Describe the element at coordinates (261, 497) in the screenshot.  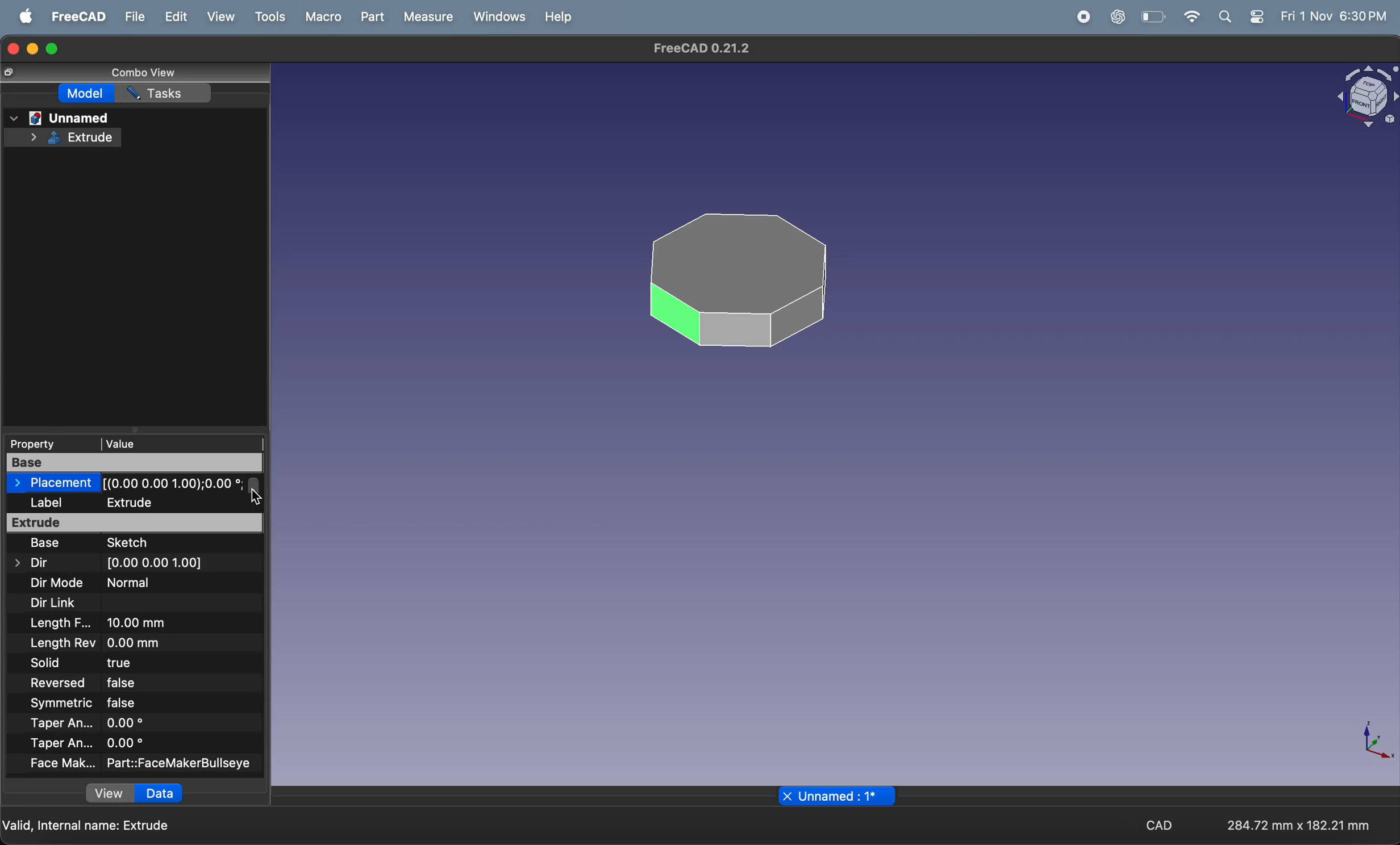
I see `cursor` at that location.